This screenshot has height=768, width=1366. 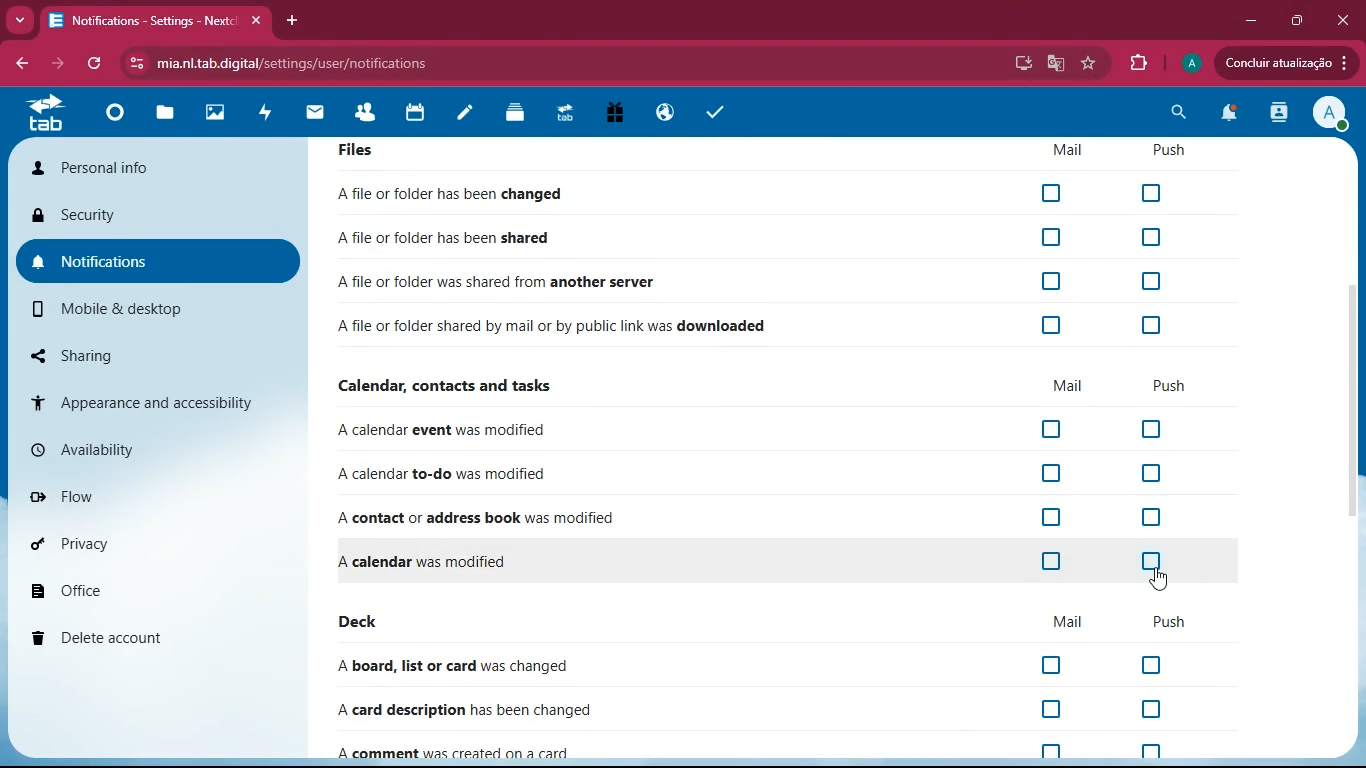 I want to click on off, so click(x=1150, y=752).